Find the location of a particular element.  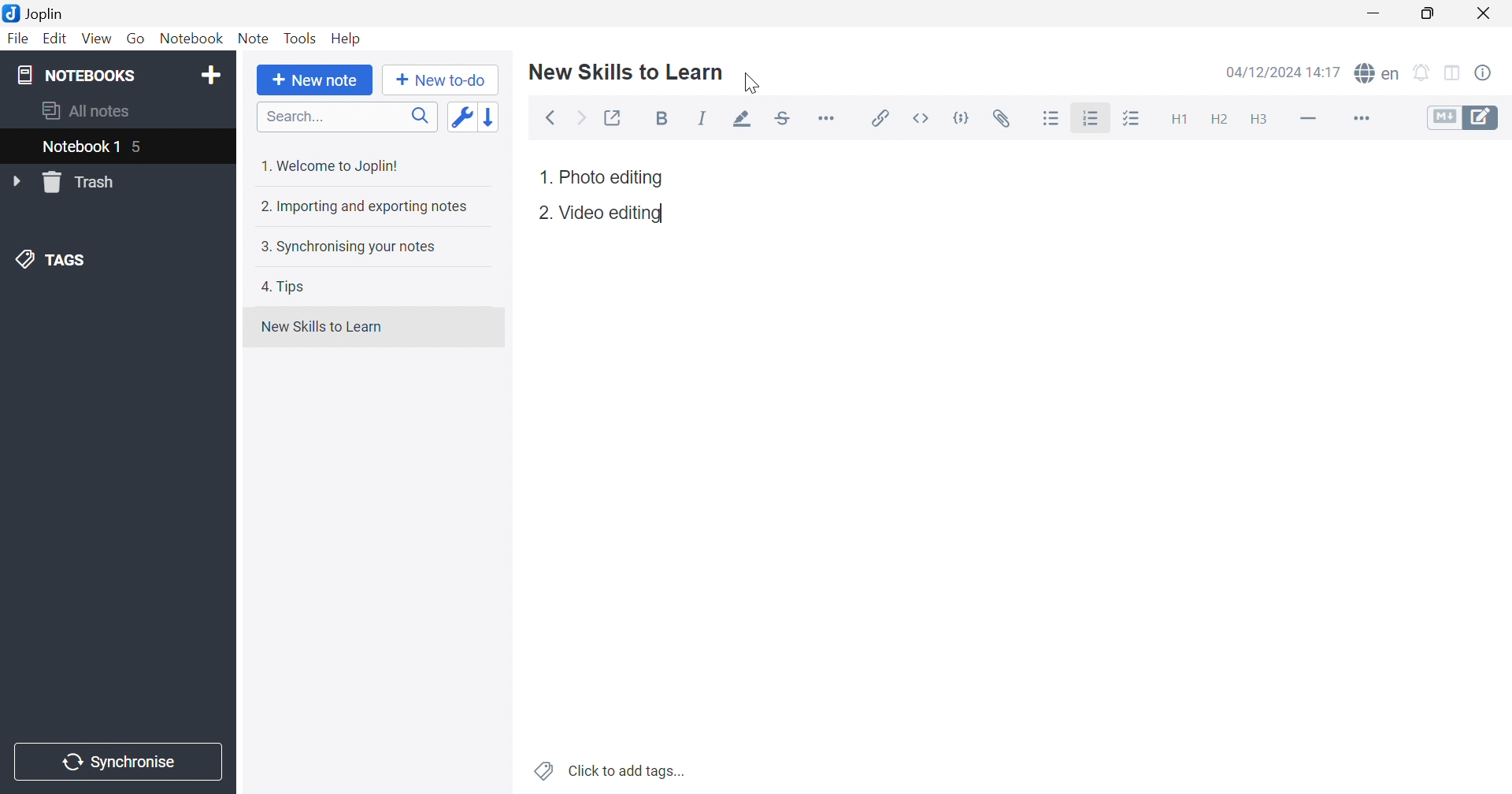

Tools is located at coordinates (300, 38).